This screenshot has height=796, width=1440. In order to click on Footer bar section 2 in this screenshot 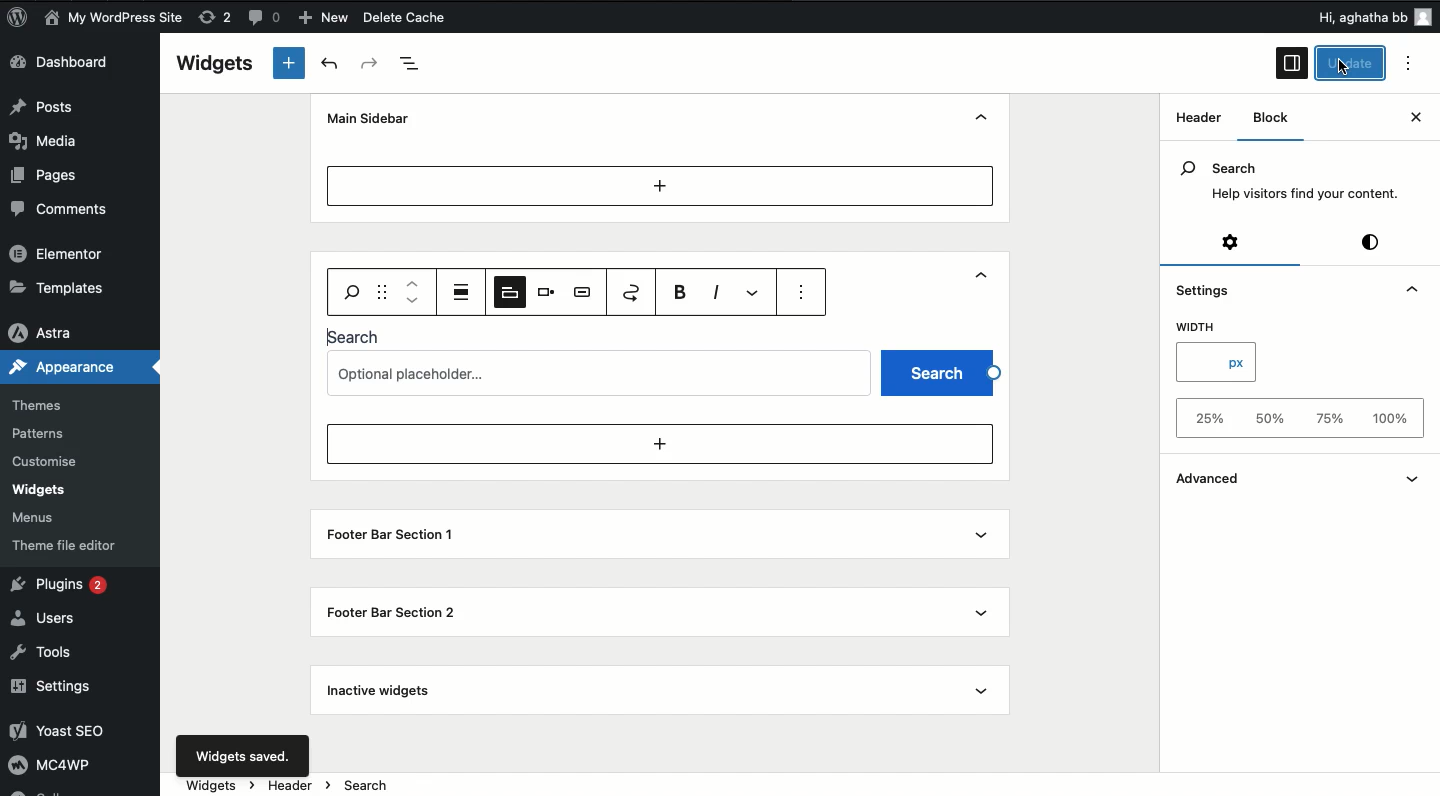, I will do `click(392, 611)`.